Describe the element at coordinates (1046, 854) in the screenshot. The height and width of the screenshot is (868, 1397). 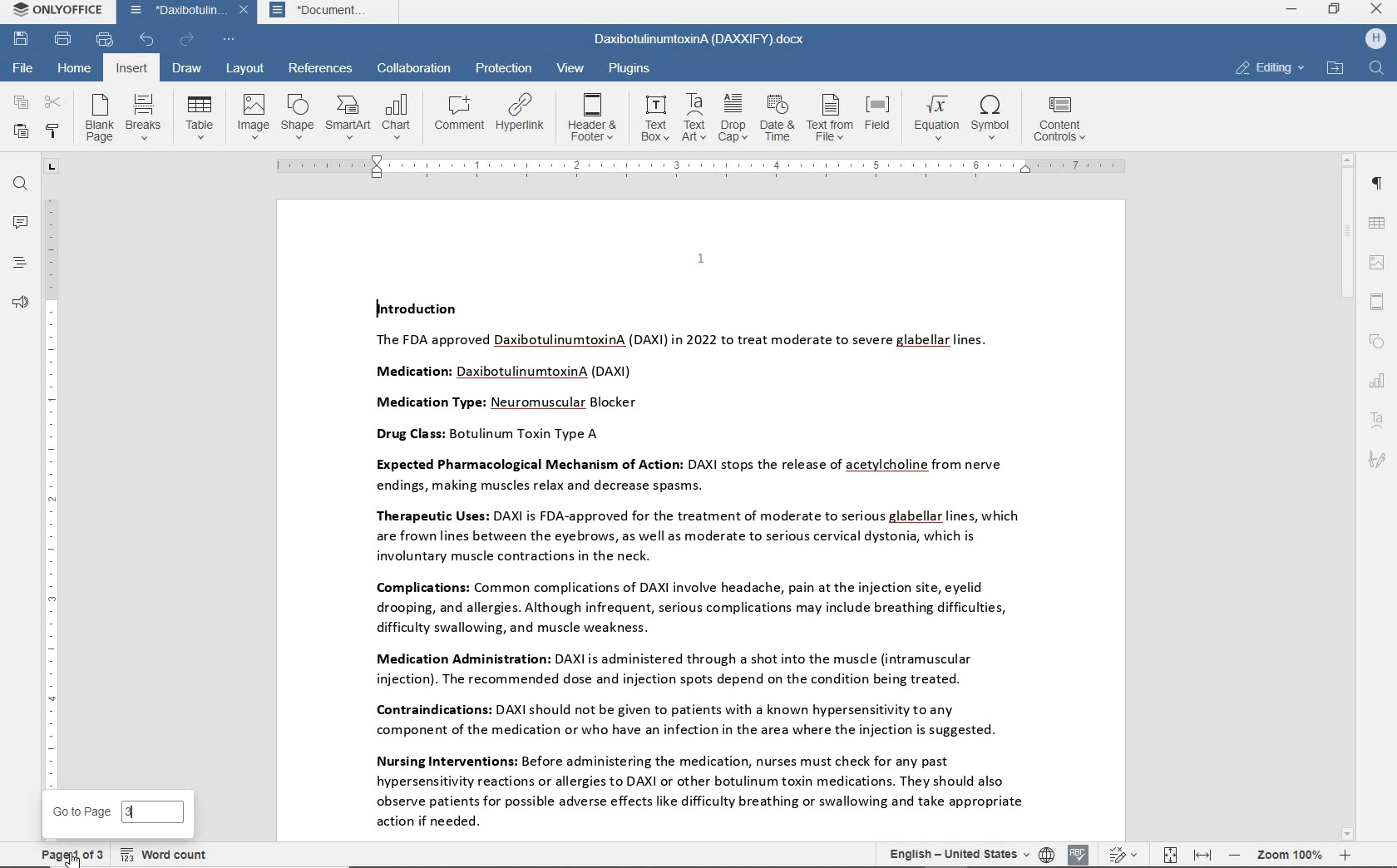
I see `set document language` at that location.